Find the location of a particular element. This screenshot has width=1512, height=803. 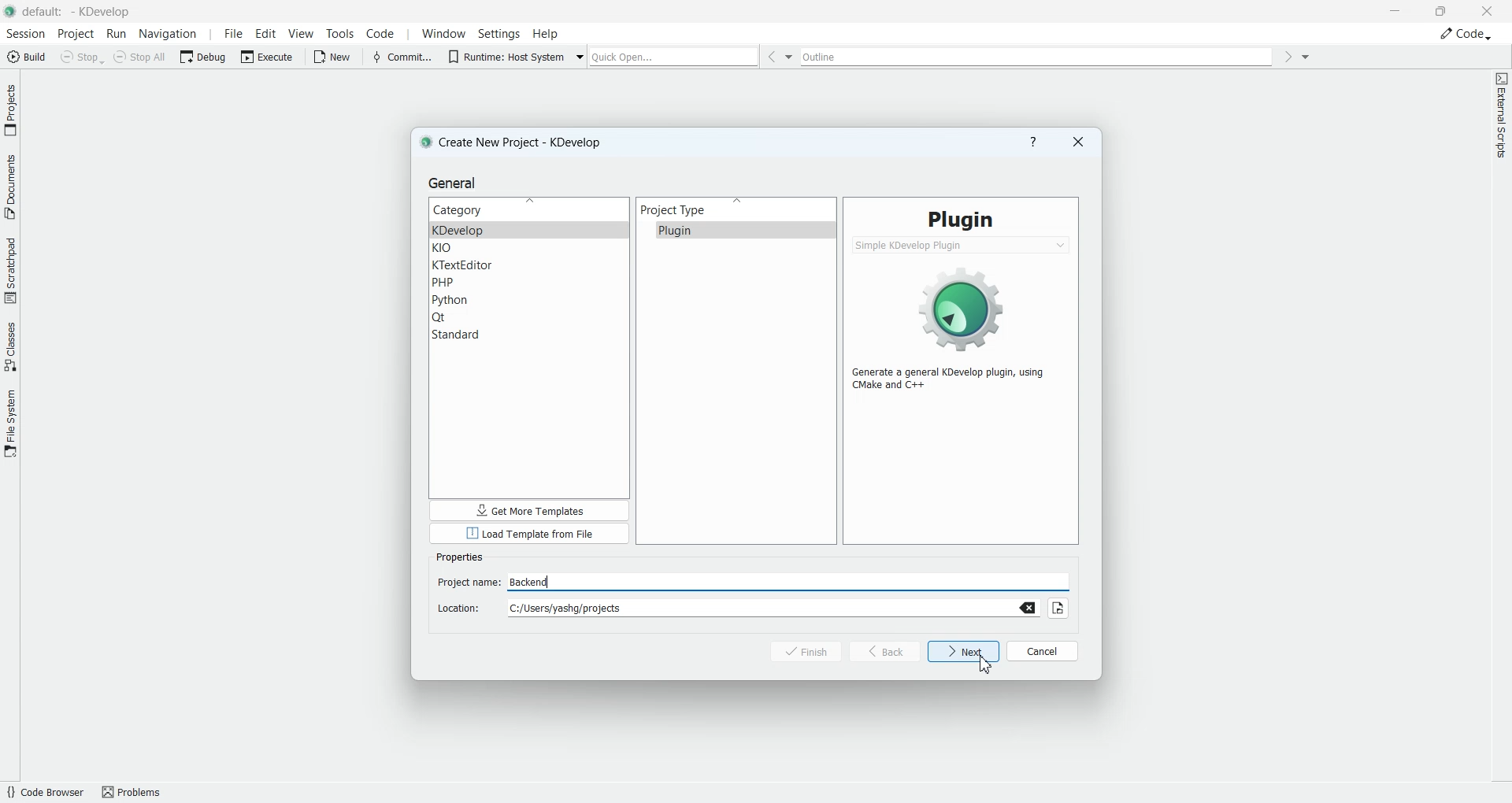

New is located at coordinates (335, 57).